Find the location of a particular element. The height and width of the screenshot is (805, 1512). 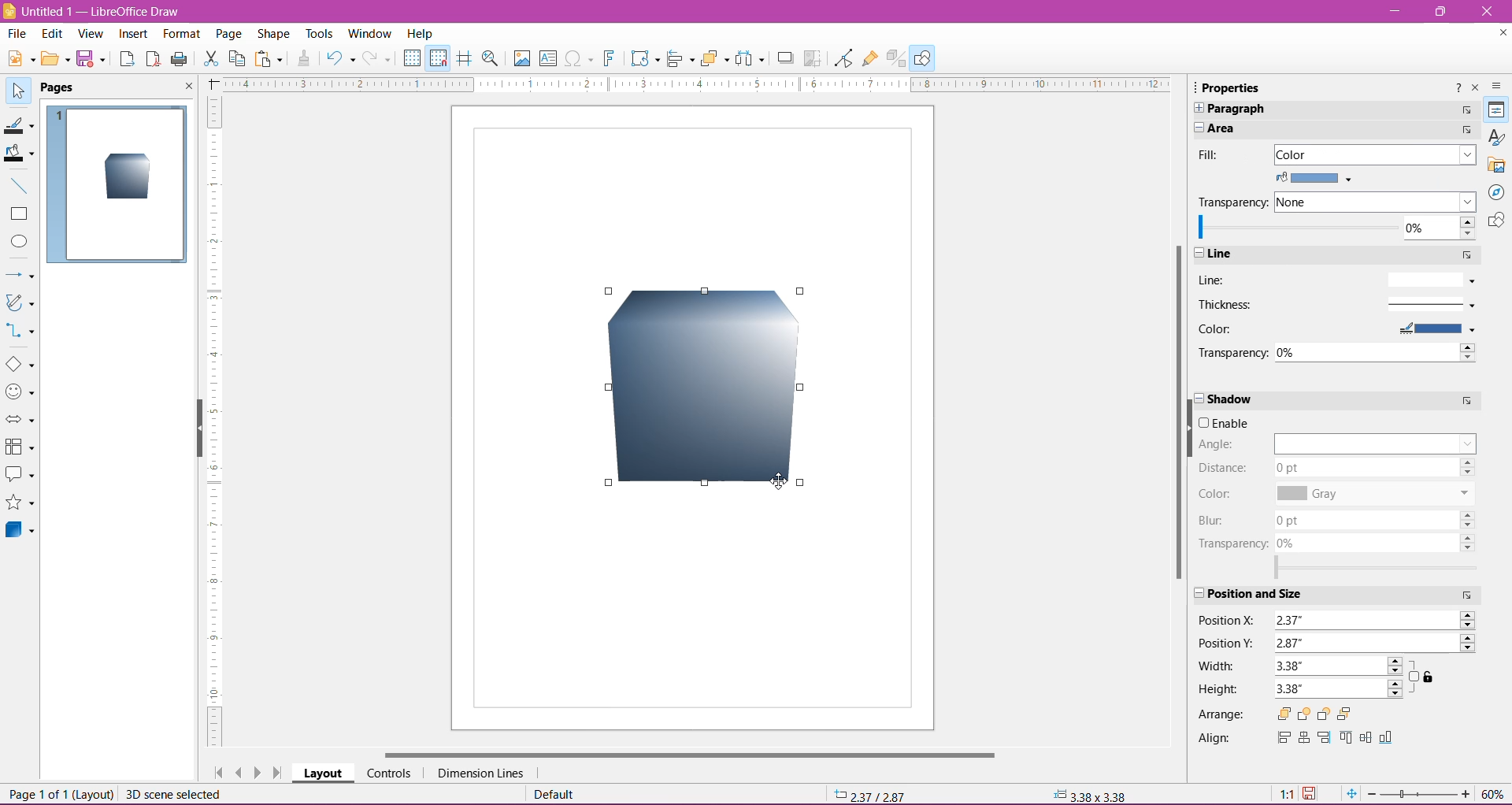

Select Item is located at coordinates (18, 89).